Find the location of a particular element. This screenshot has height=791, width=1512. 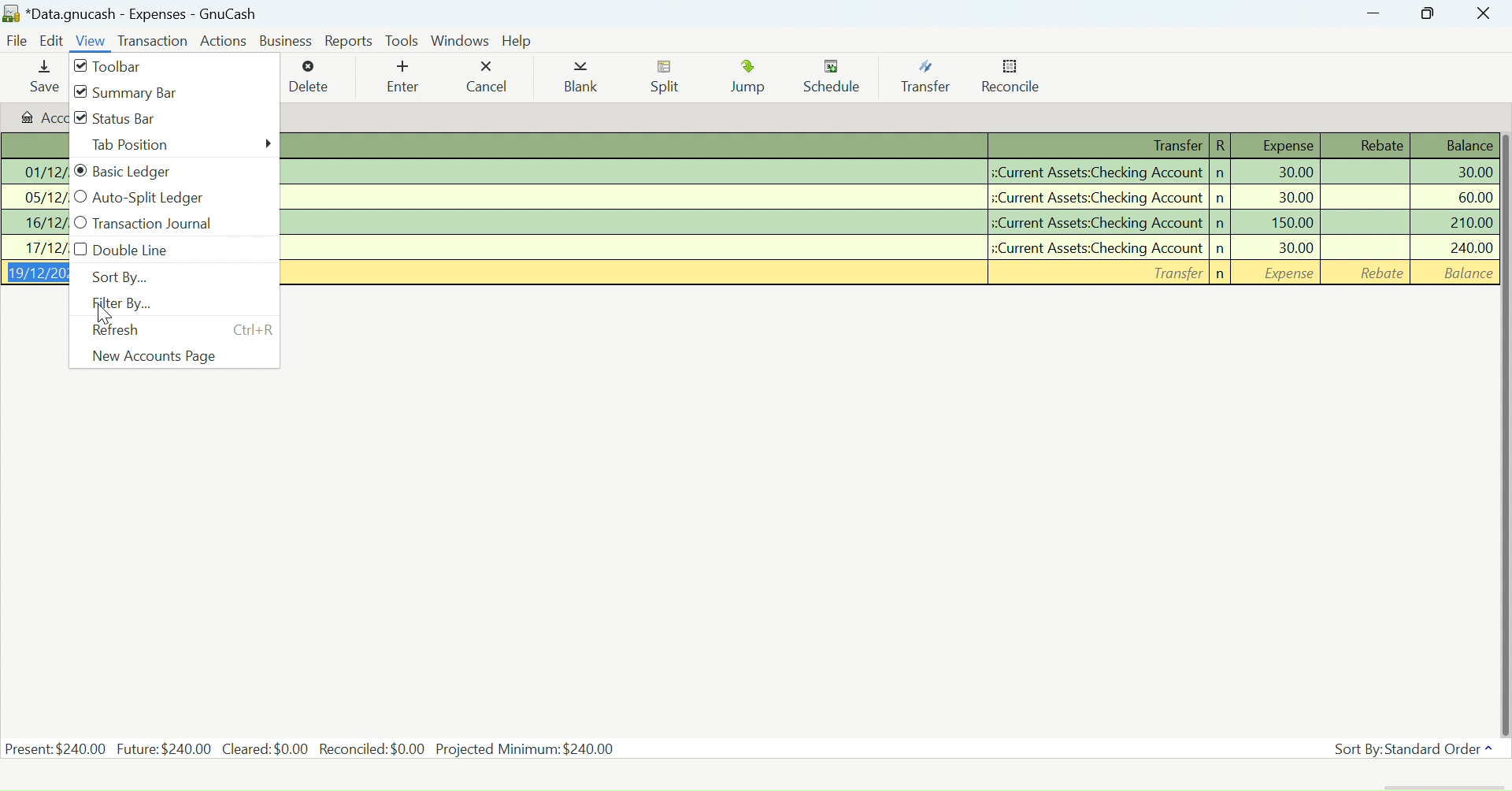

View is located at coordinates (91, 43).